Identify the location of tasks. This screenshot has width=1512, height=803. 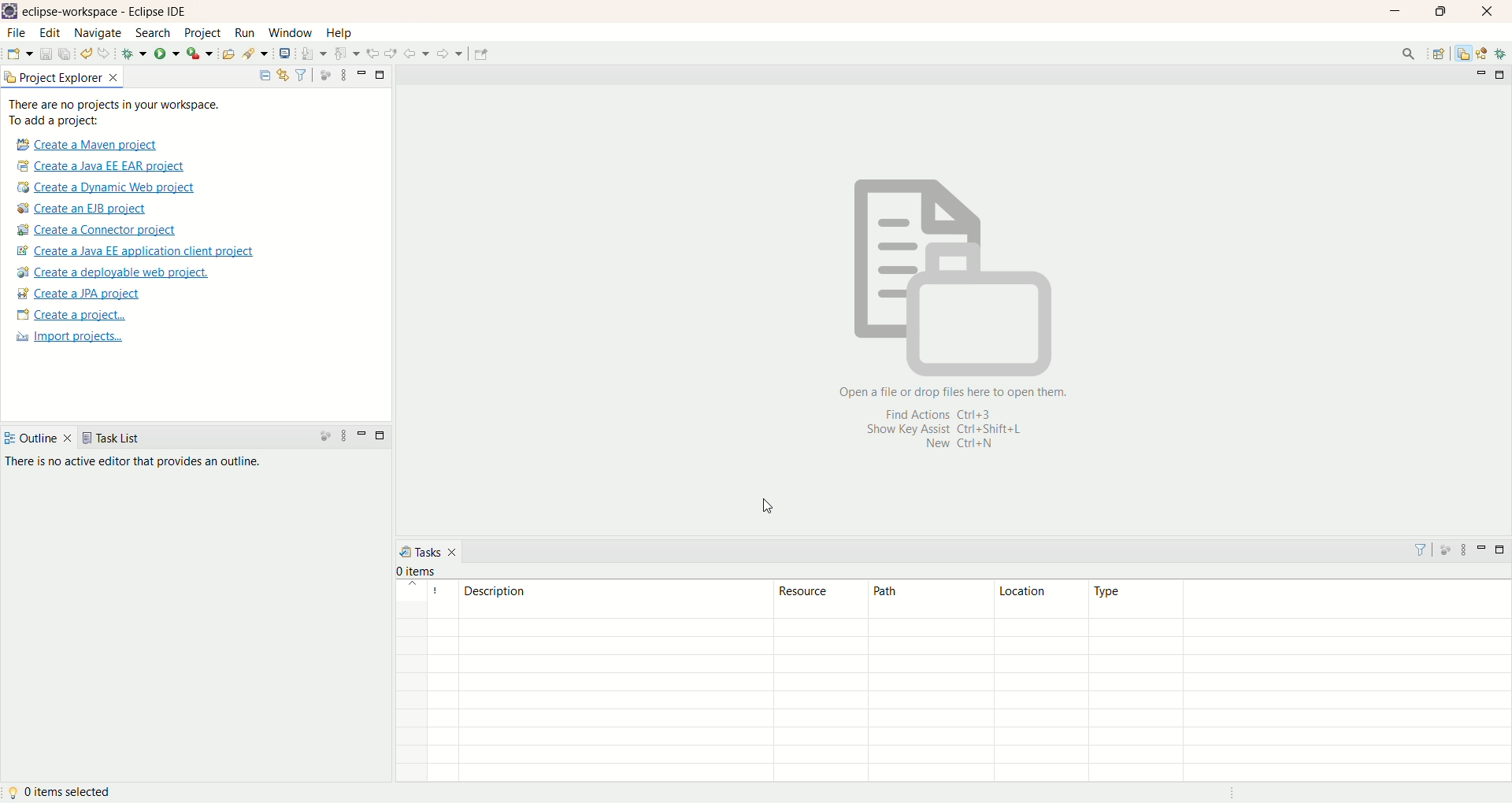
(428, 550).